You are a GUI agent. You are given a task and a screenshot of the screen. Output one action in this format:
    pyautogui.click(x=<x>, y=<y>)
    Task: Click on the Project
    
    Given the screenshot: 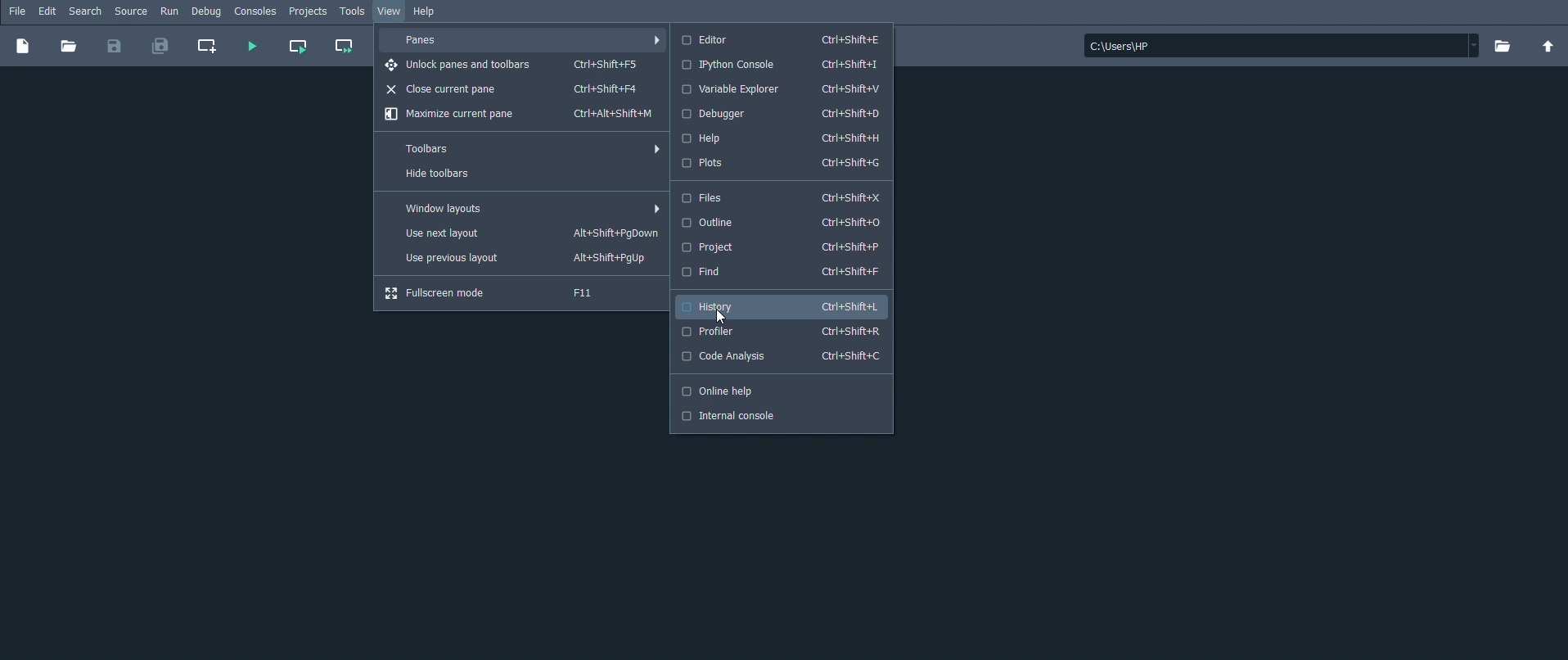 What is the action you would take?
    pyautogui.click(x=785, y=246)
    